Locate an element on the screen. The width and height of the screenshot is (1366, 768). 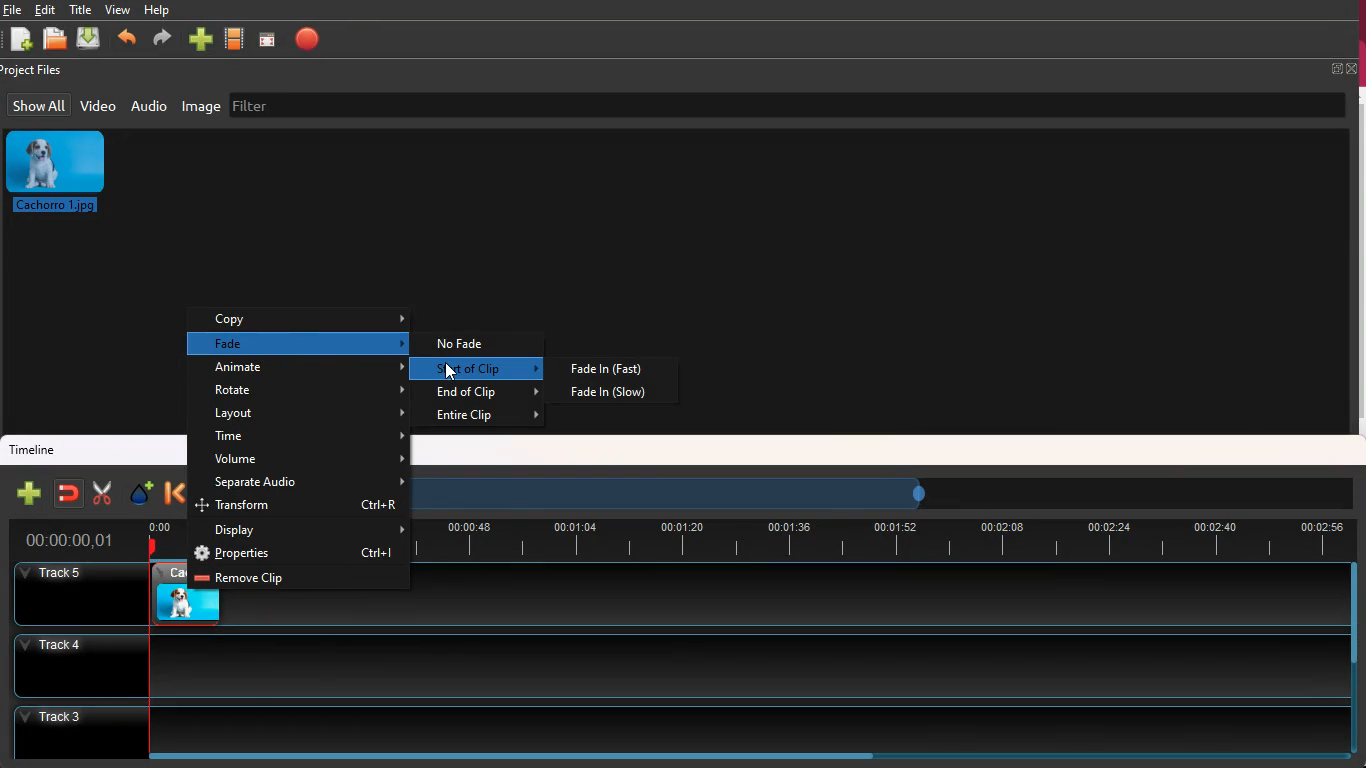
back is located at coordinates (129, 38).